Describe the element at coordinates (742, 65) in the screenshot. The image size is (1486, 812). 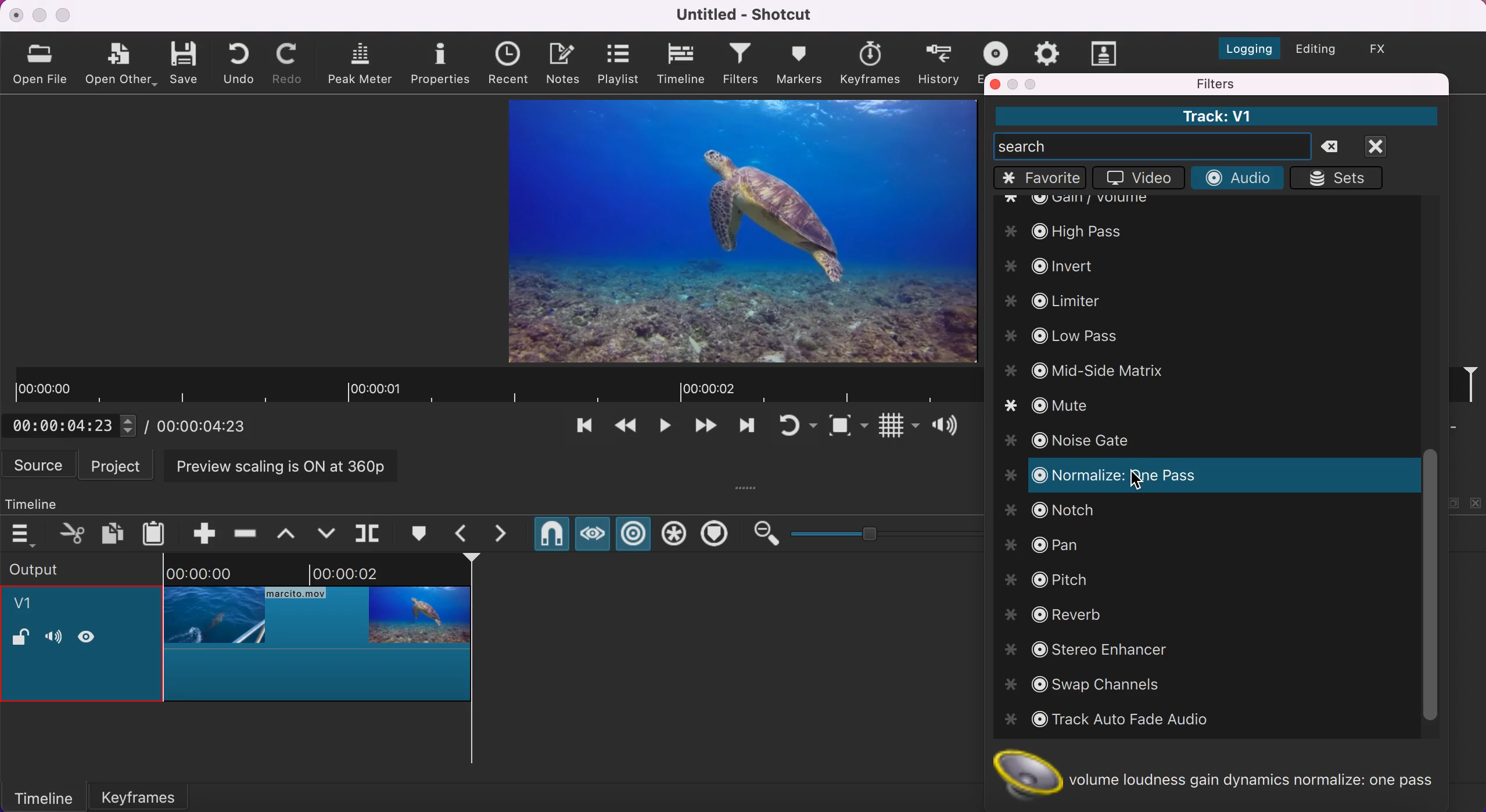
I see `filters` at that location.